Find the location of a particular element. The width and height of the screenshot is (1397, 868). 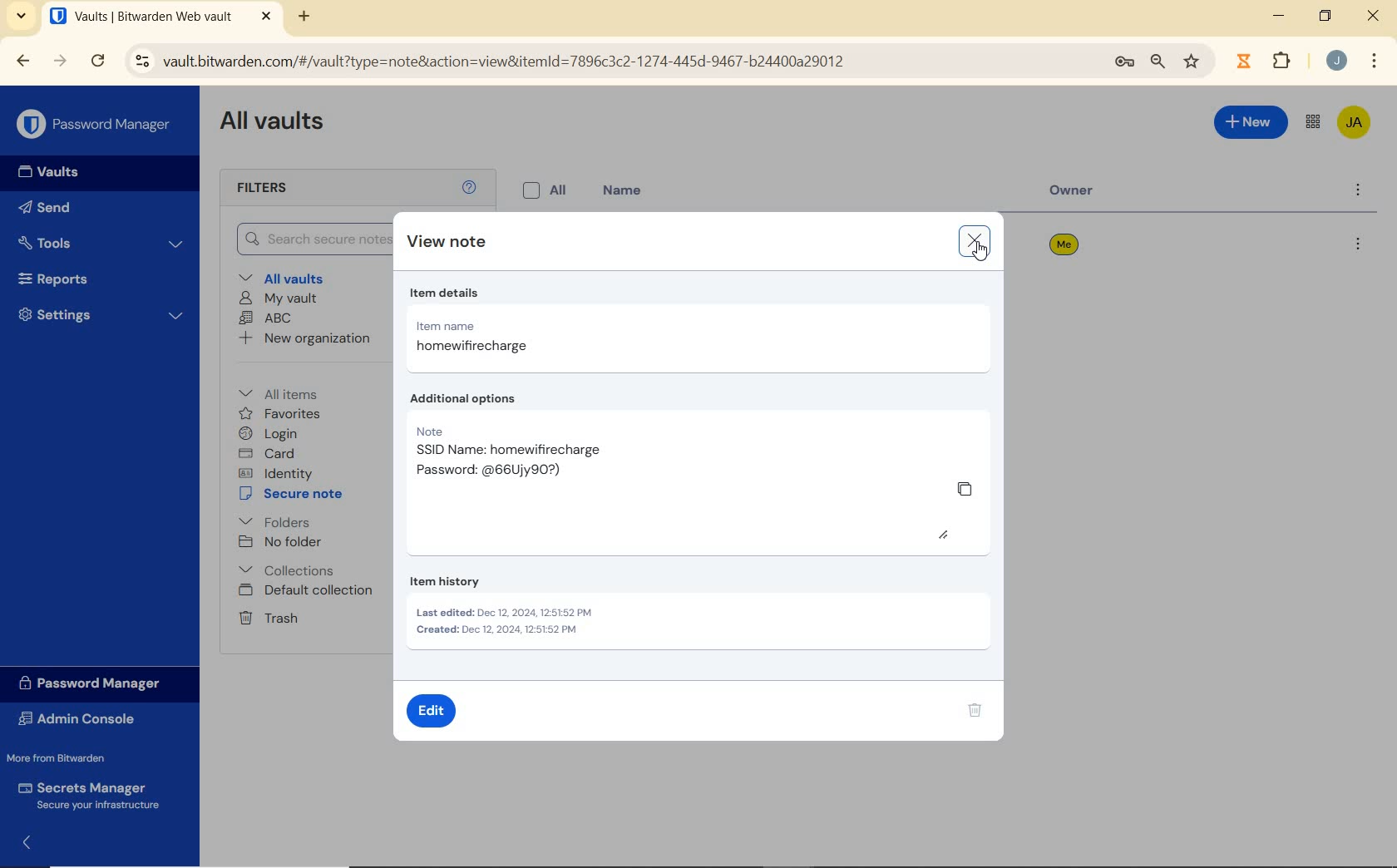

Item history is located at coordinates (698, 609).